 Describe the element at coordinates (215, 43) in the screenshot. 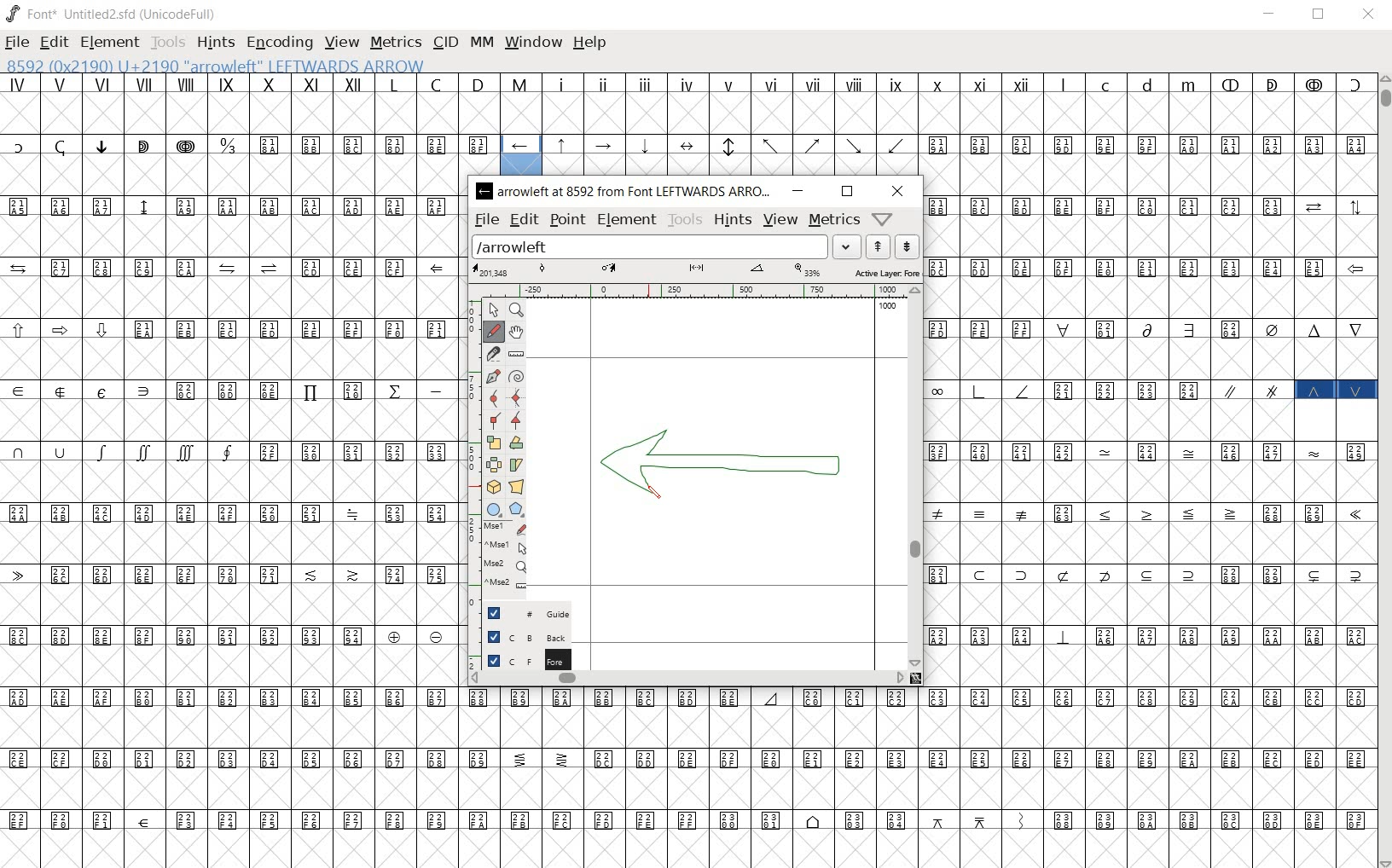

I see `hints` at that location.